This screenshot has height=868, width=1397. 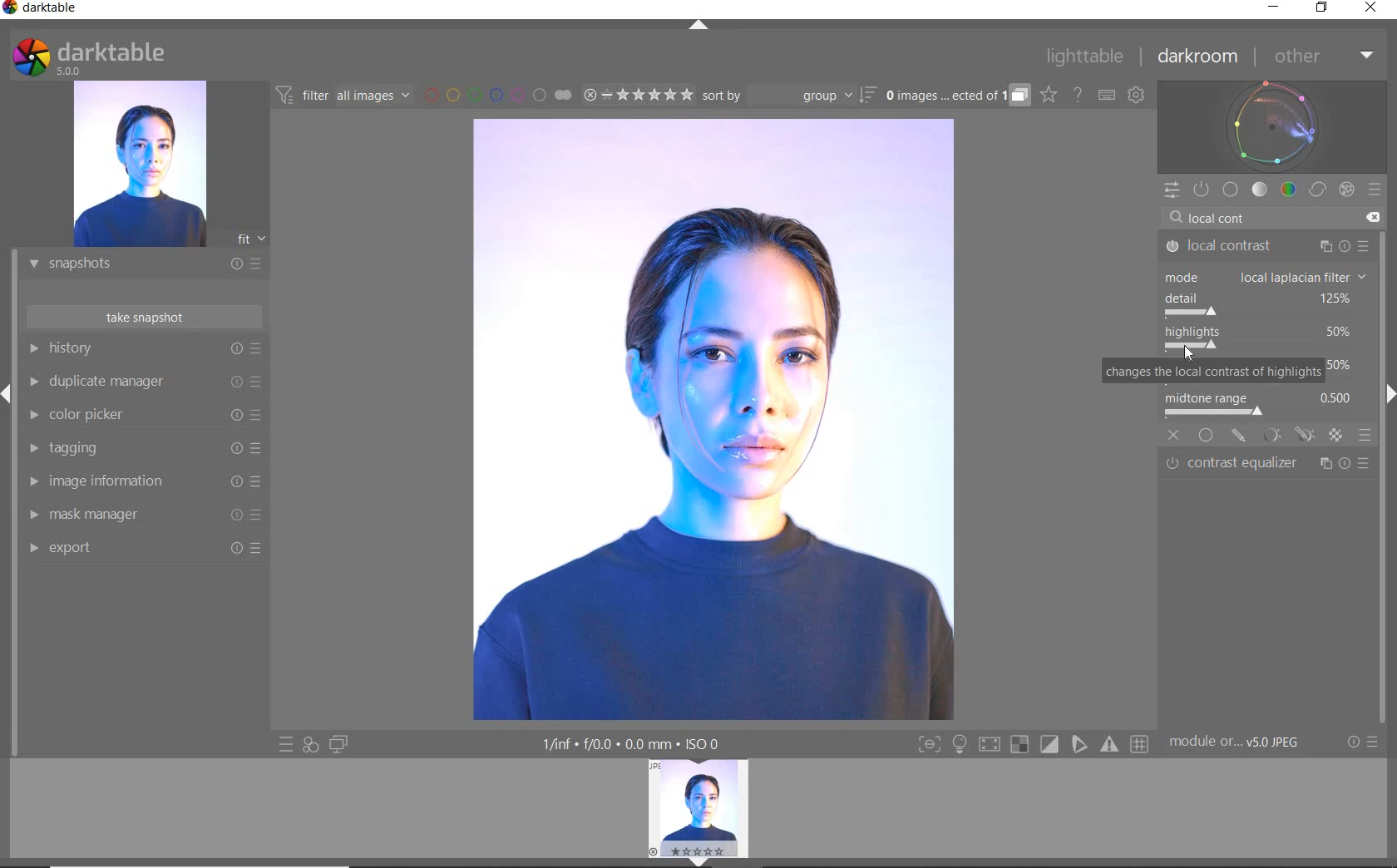 I want to click on MODULE...v5.0 JPEG, so click(x=1246, y=742).